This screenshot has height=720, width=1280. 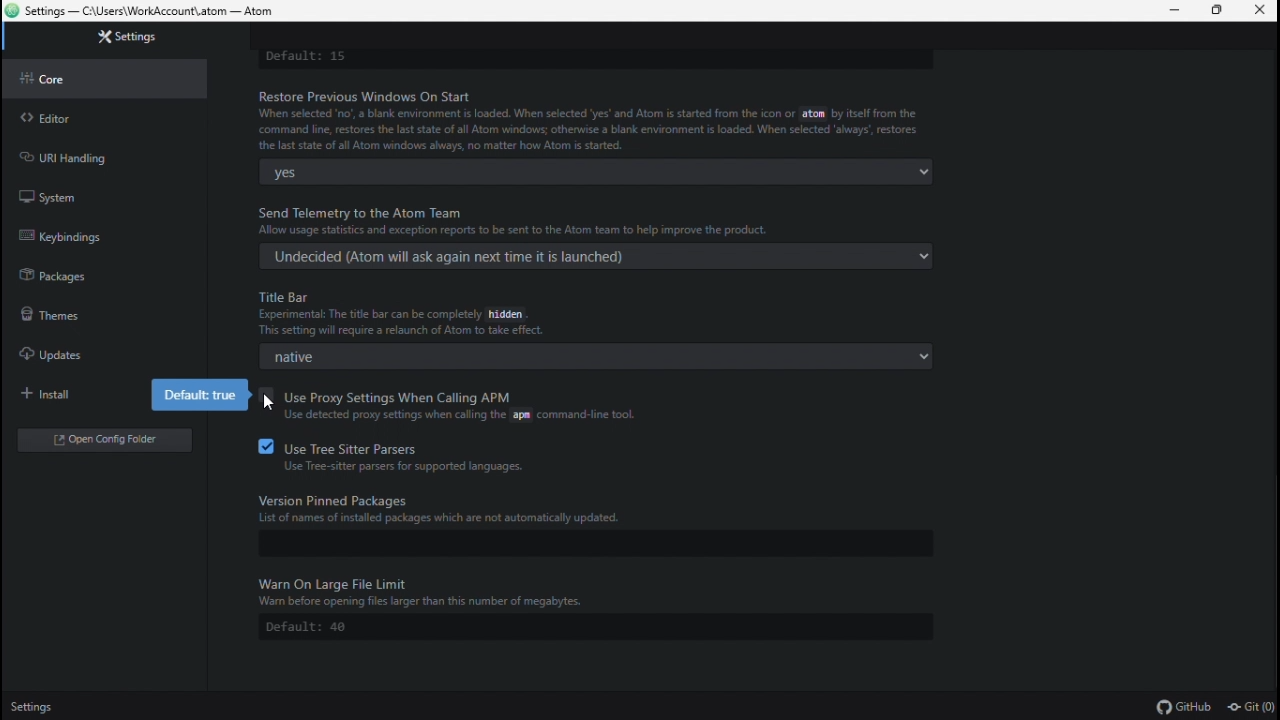 I want to click on Default: 15, so click(x=588, y=58).